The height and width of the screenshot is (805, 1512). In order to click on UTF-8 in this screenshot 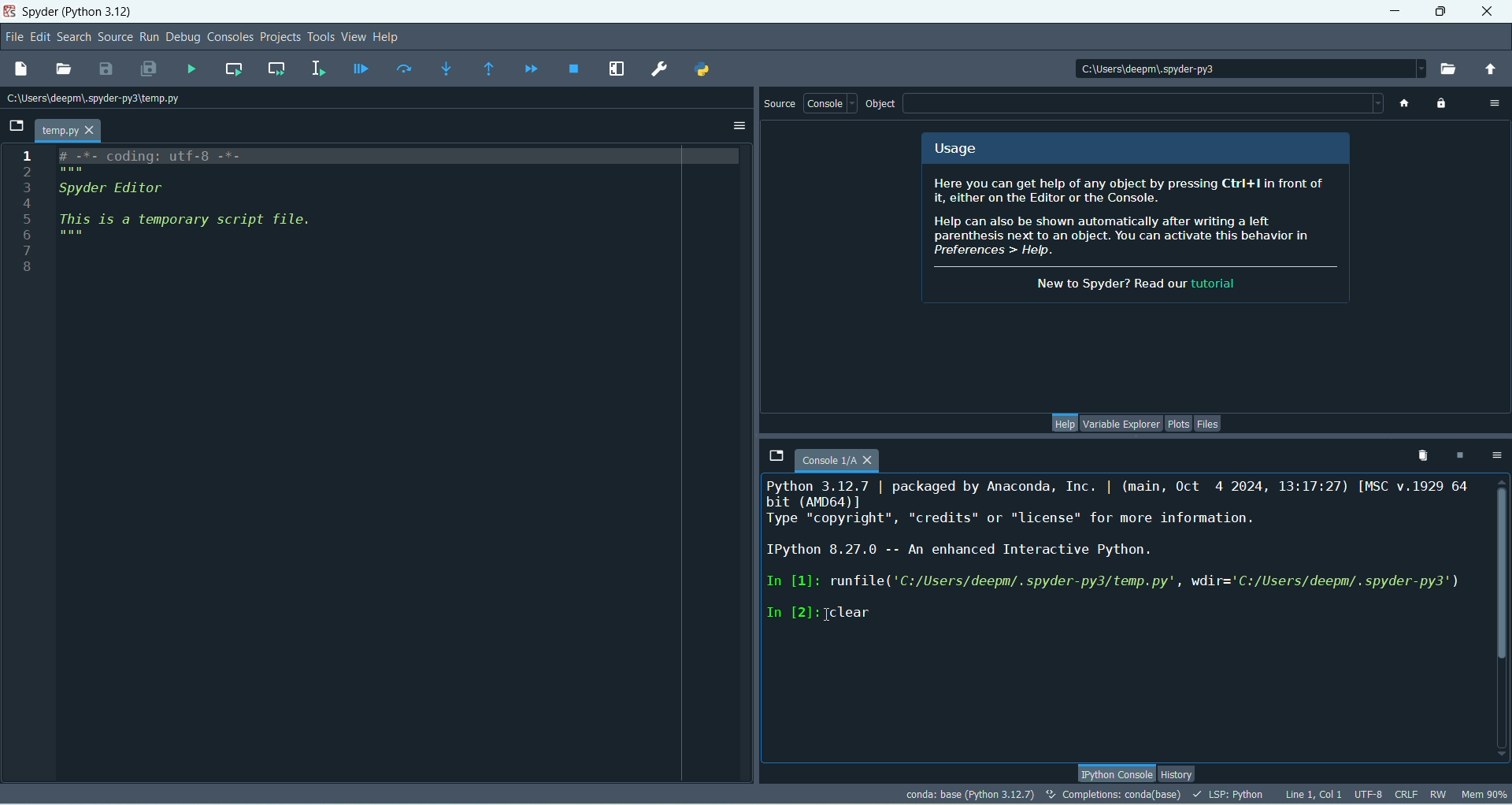, I will do `click(1369, 794)`.